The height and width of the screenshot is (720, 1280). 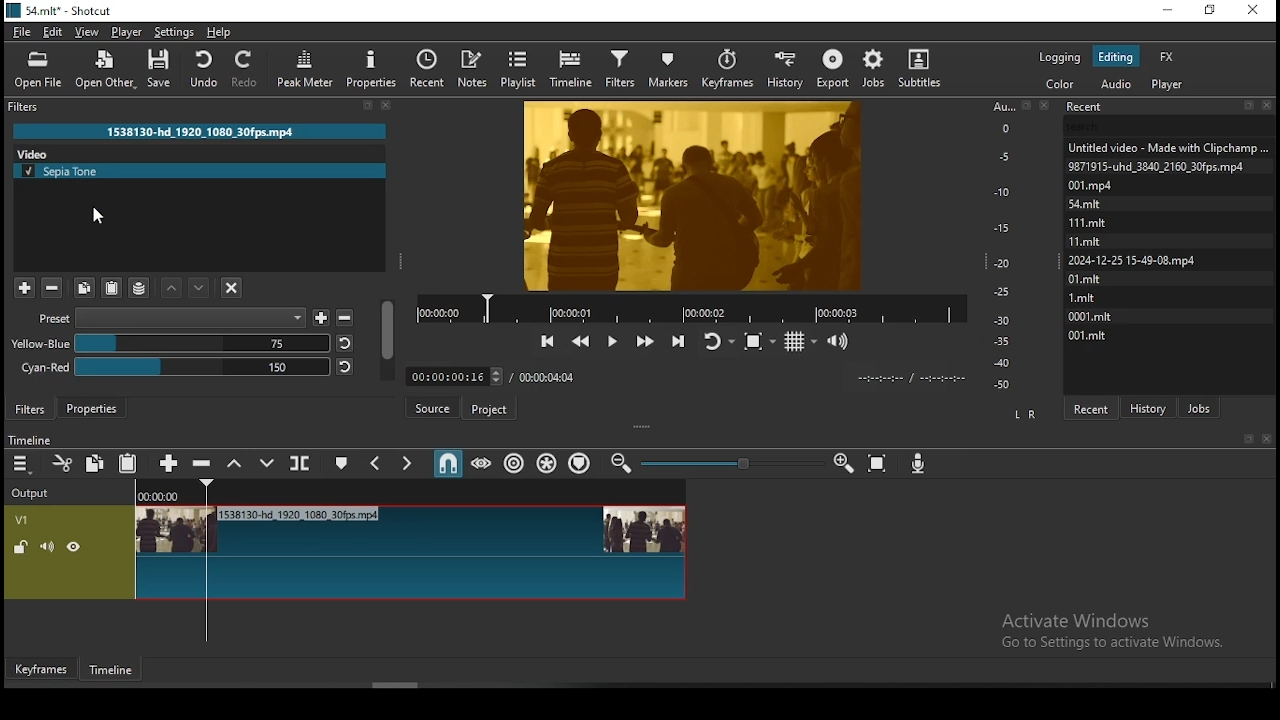 What do you see at coordinates (30, 411) in the screenshot?
I see `filters` at bounding box center [30, 411].